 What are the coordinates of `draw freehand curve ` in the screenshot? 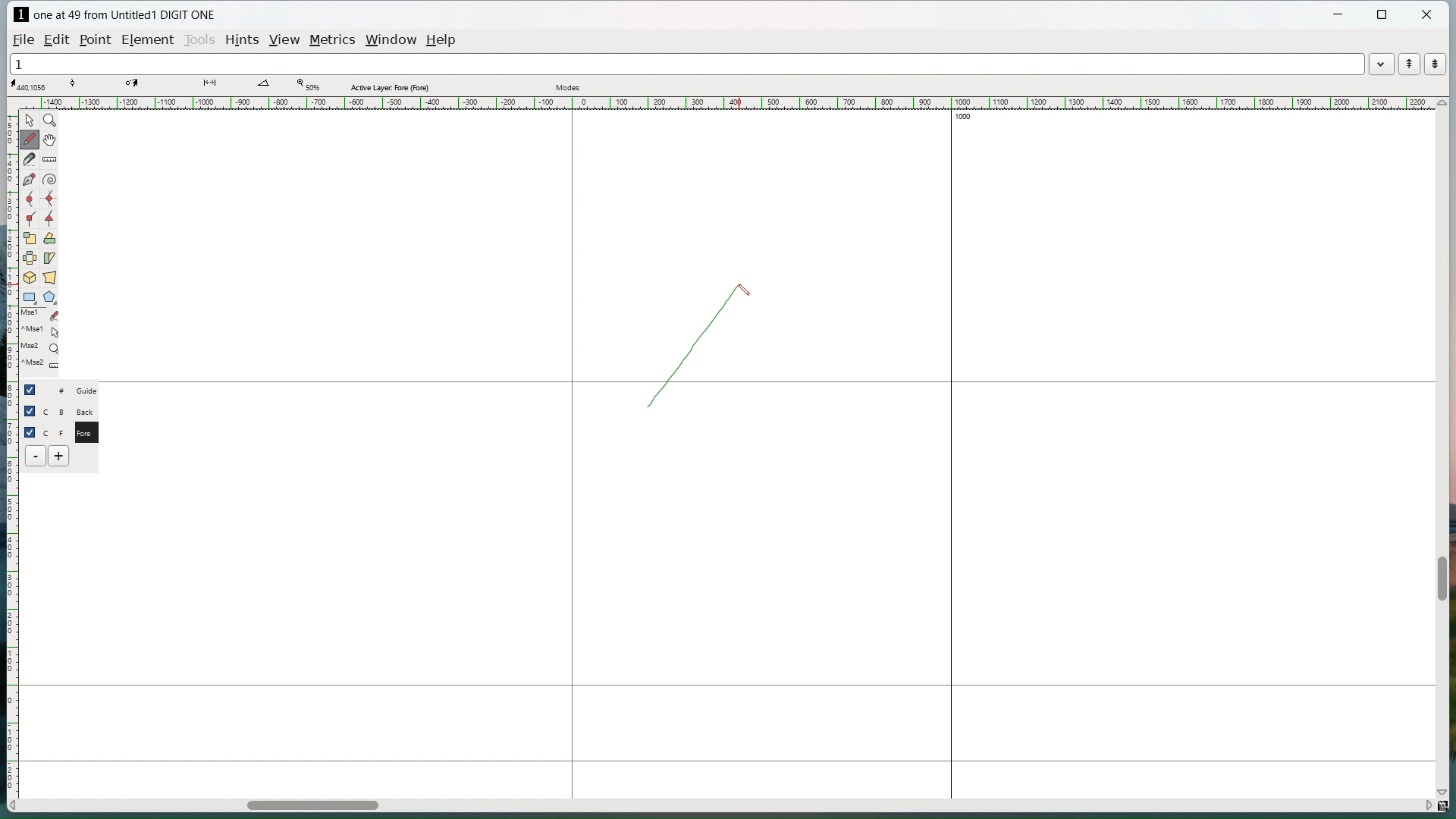 It's located at (31, 139).